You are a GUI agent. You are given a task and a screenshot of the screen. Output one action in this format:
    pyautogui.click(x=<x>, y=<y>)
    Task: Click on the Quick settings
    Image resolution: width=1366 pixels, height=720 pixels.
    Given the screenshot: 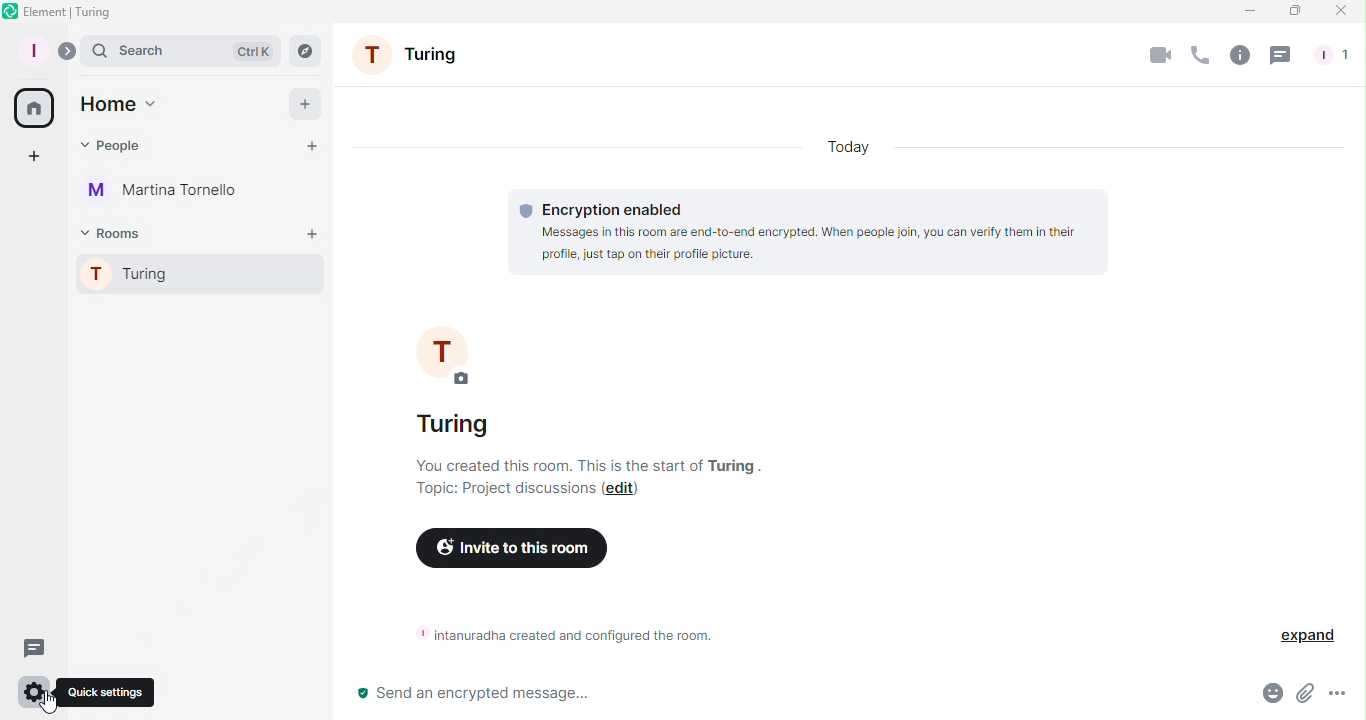 What is the action you would take?
    pyautogui.click(x=110, y=694)
    